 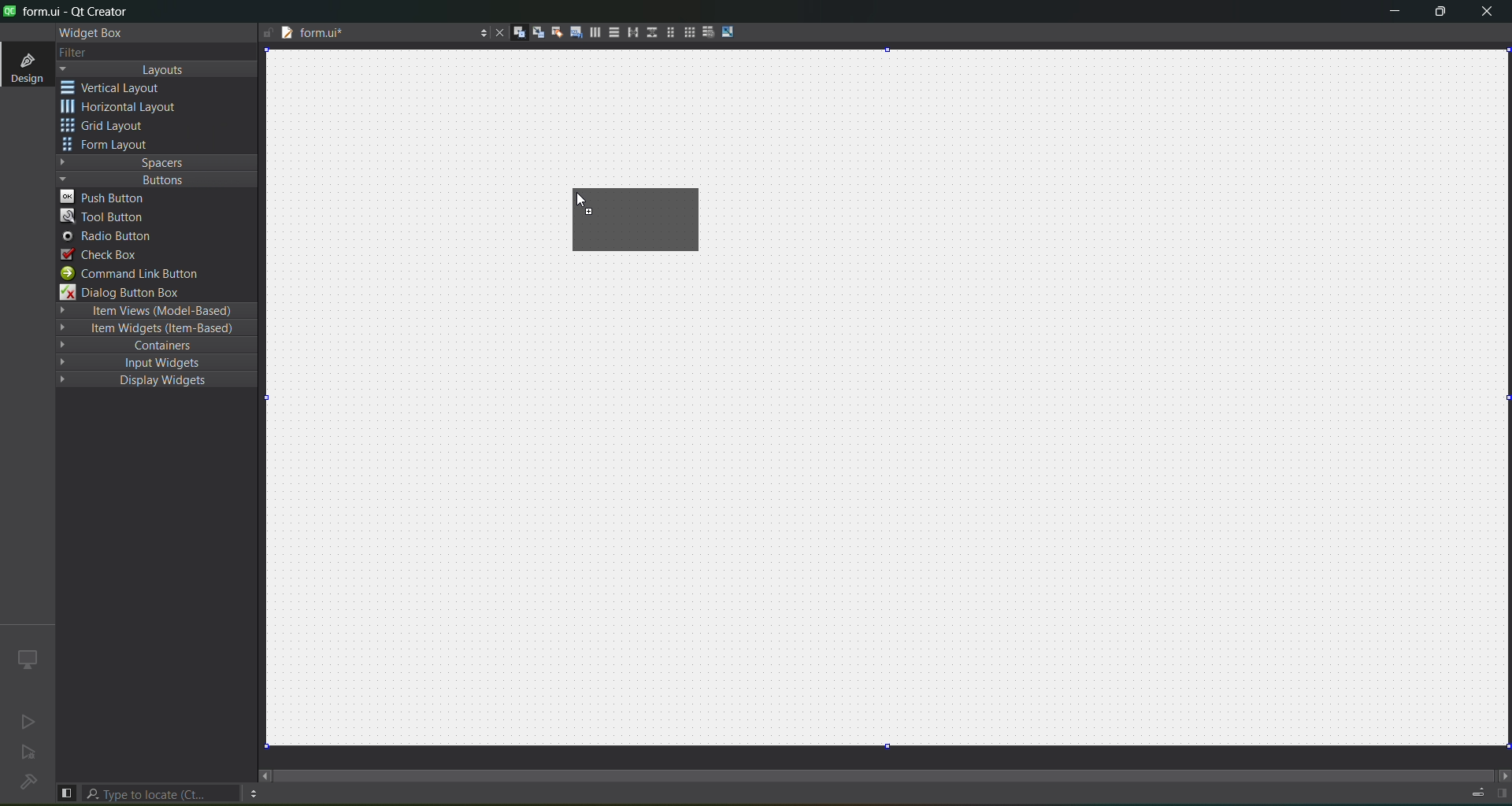 What do you see at coordinates (885, 768) in the screenshot?
I see `scroll bar` at bounding box center [885, 768].